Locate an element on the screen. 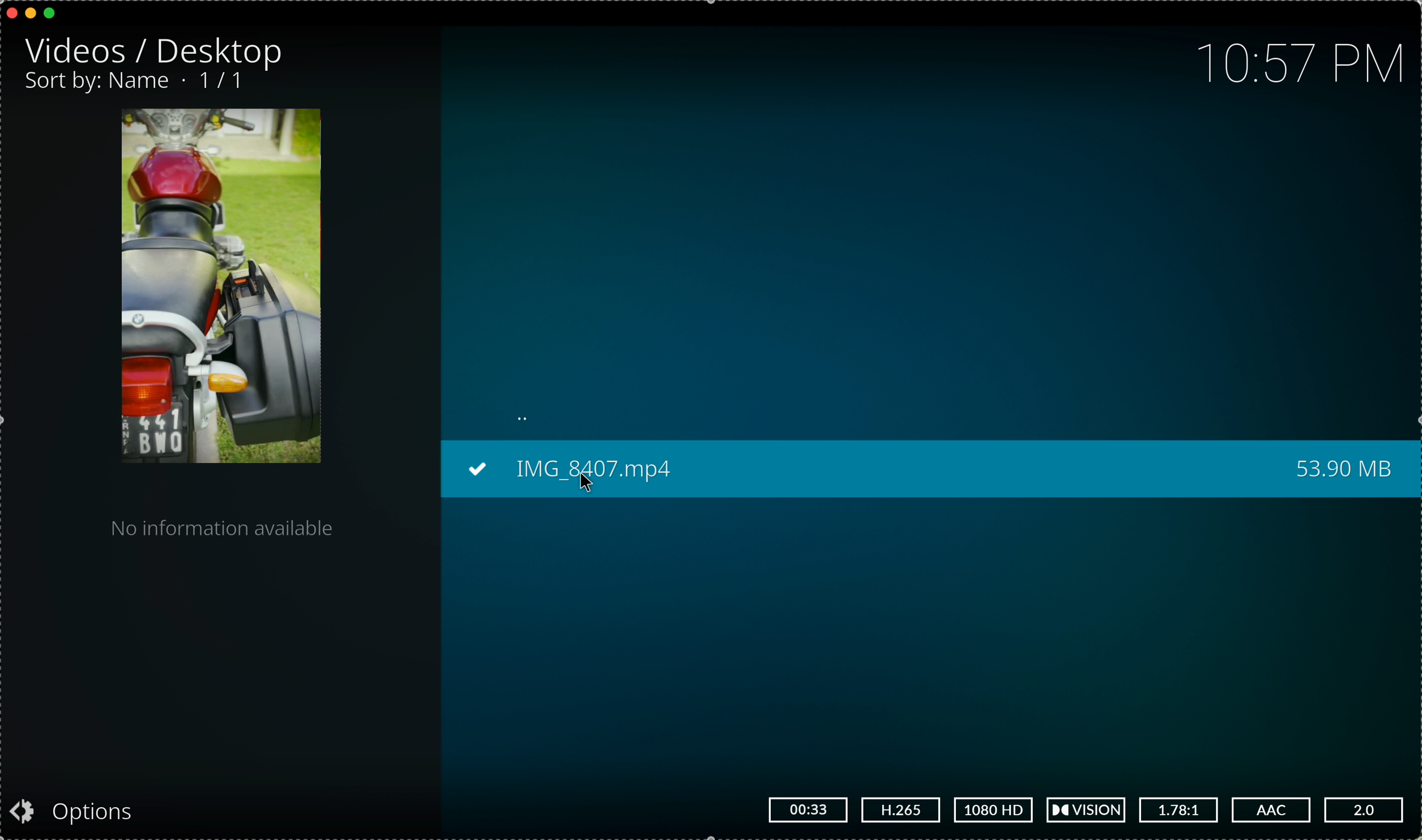 This screenshot has height=840, width=1422. 1.78:1 is located at coordinates (1181, 811).